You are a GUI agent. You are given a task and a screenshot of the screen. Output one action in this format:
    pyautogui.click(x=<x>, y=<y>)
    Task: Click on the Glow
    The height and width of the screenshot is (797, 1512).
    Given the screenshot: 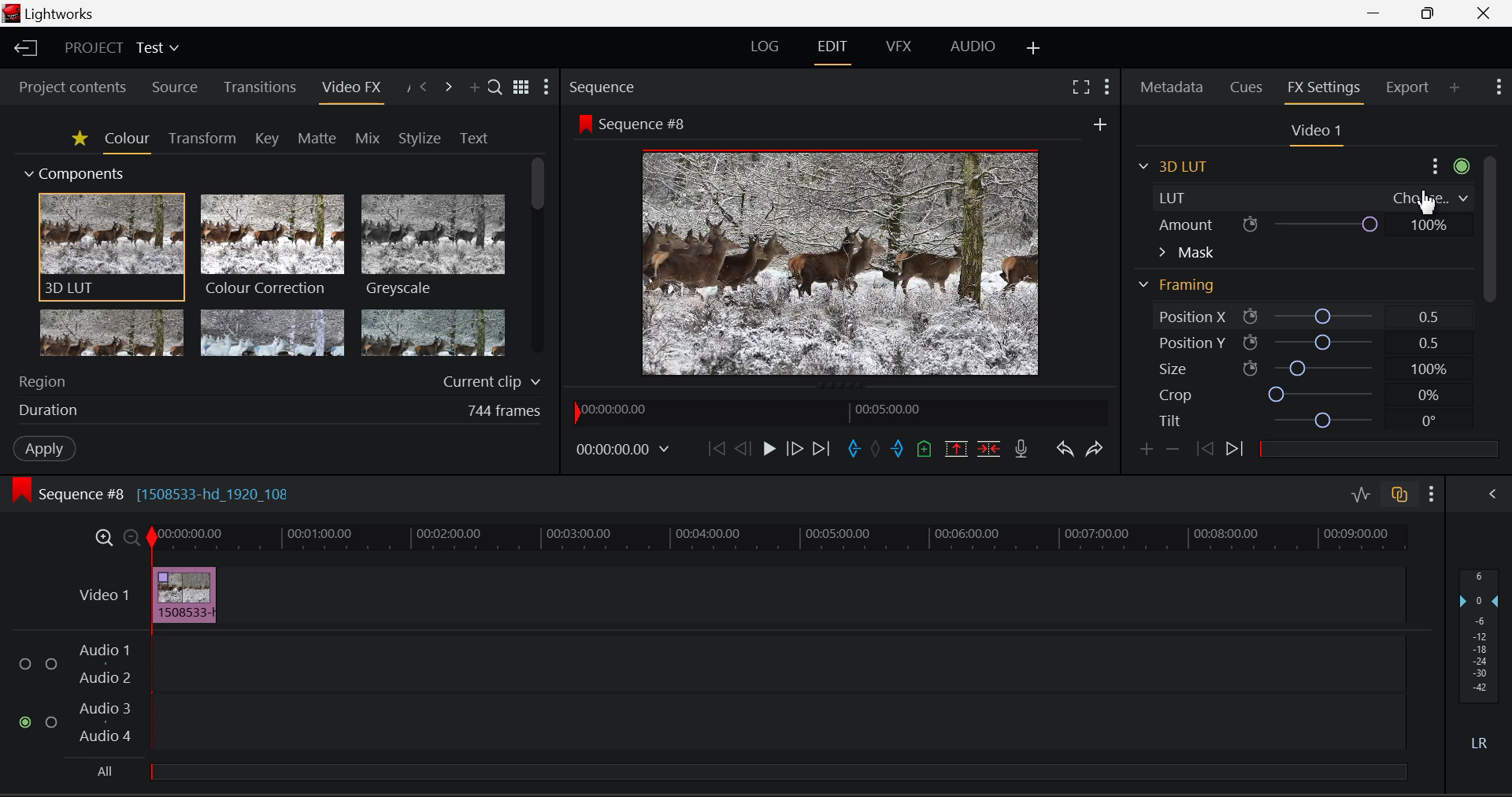 What is the action you would take?
    pyautogui.click(x=112, y=335)
    